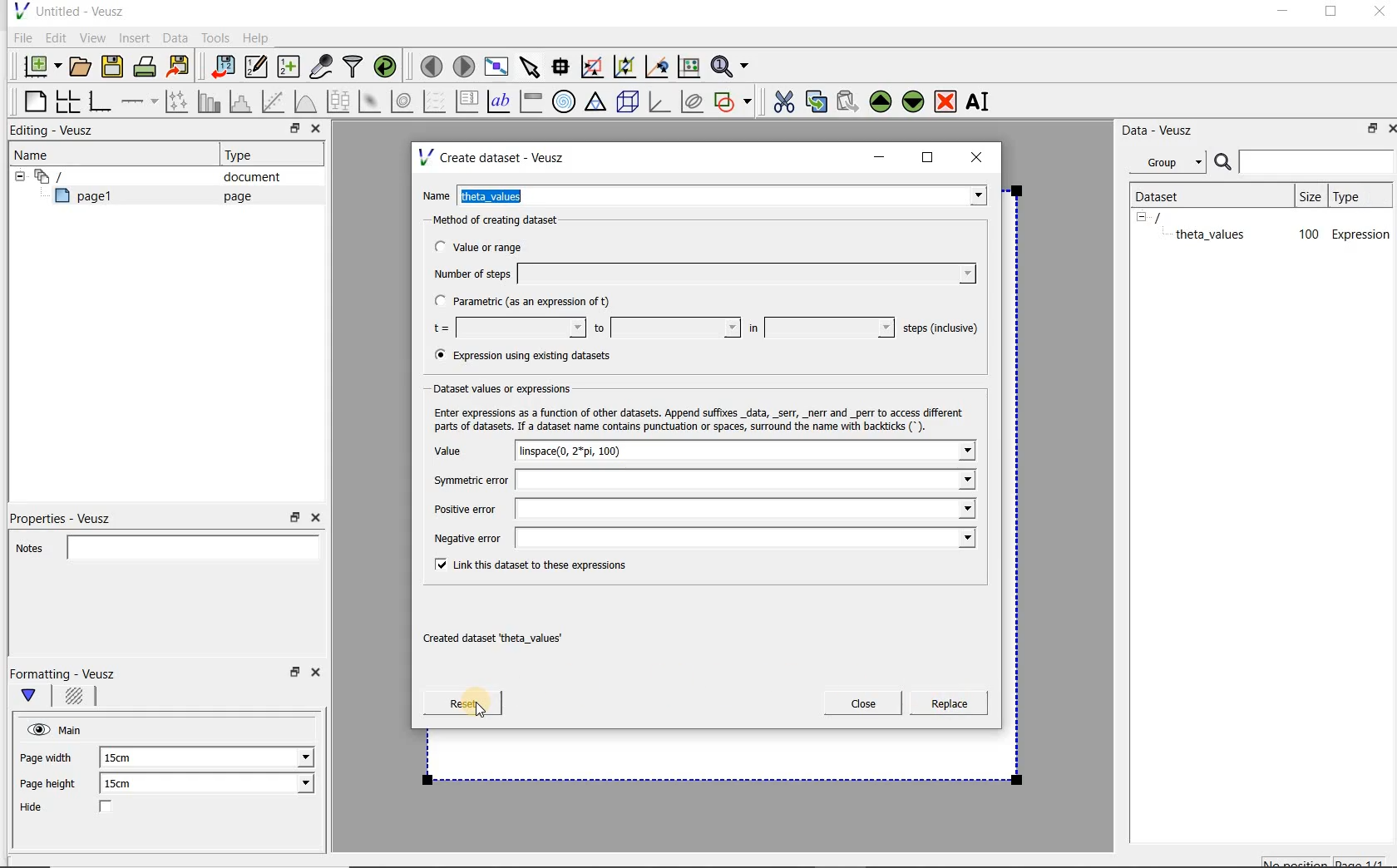 The height and width of the screenshot is (868, 1397). I want to click on hide sub menu, so click(16, 175).